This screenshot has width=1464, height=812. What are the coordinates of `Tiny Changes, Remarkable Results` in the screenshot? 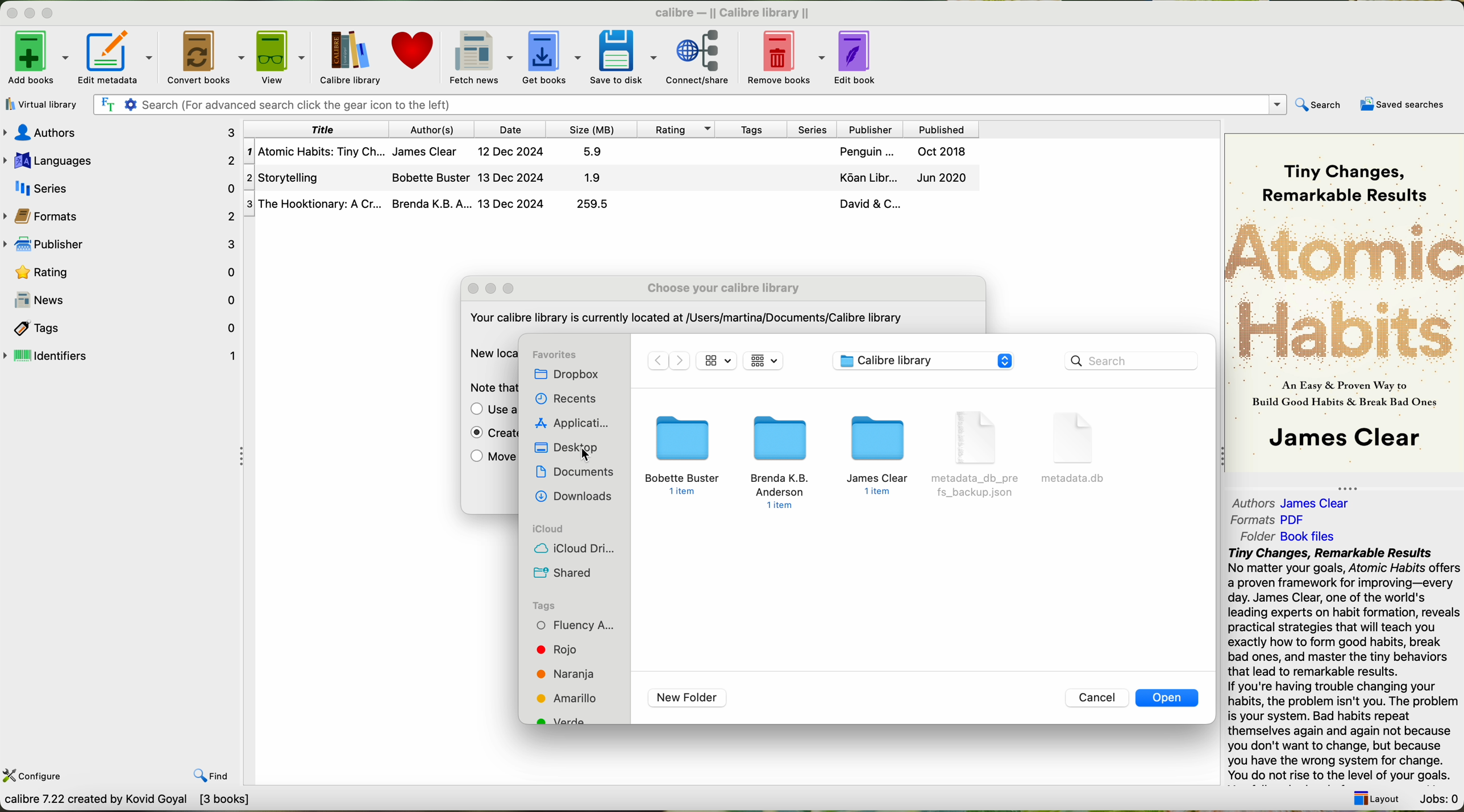 It's located at (1344, 170).